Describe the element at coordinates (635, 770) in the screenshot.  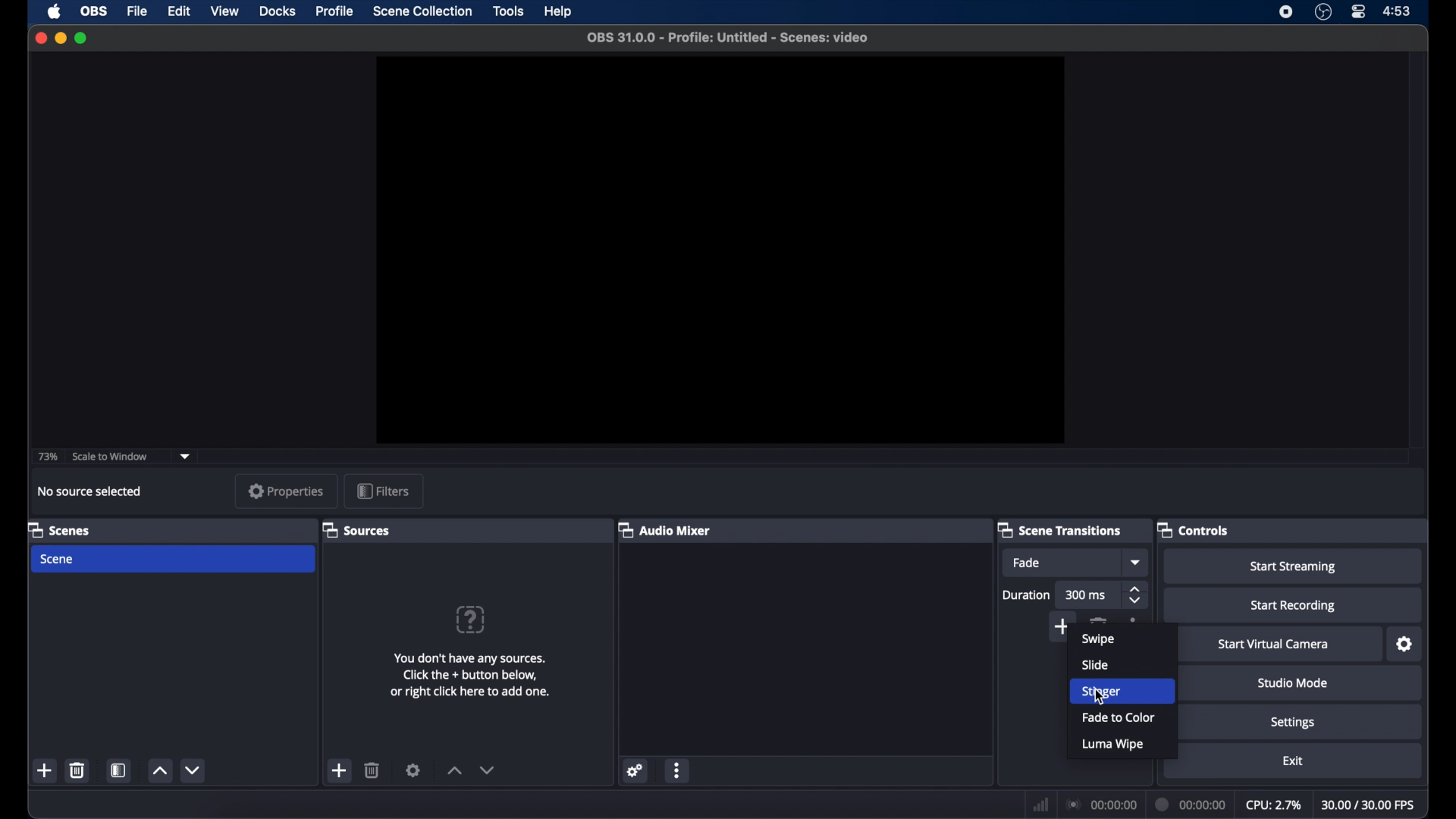
I see `settings` at that location.